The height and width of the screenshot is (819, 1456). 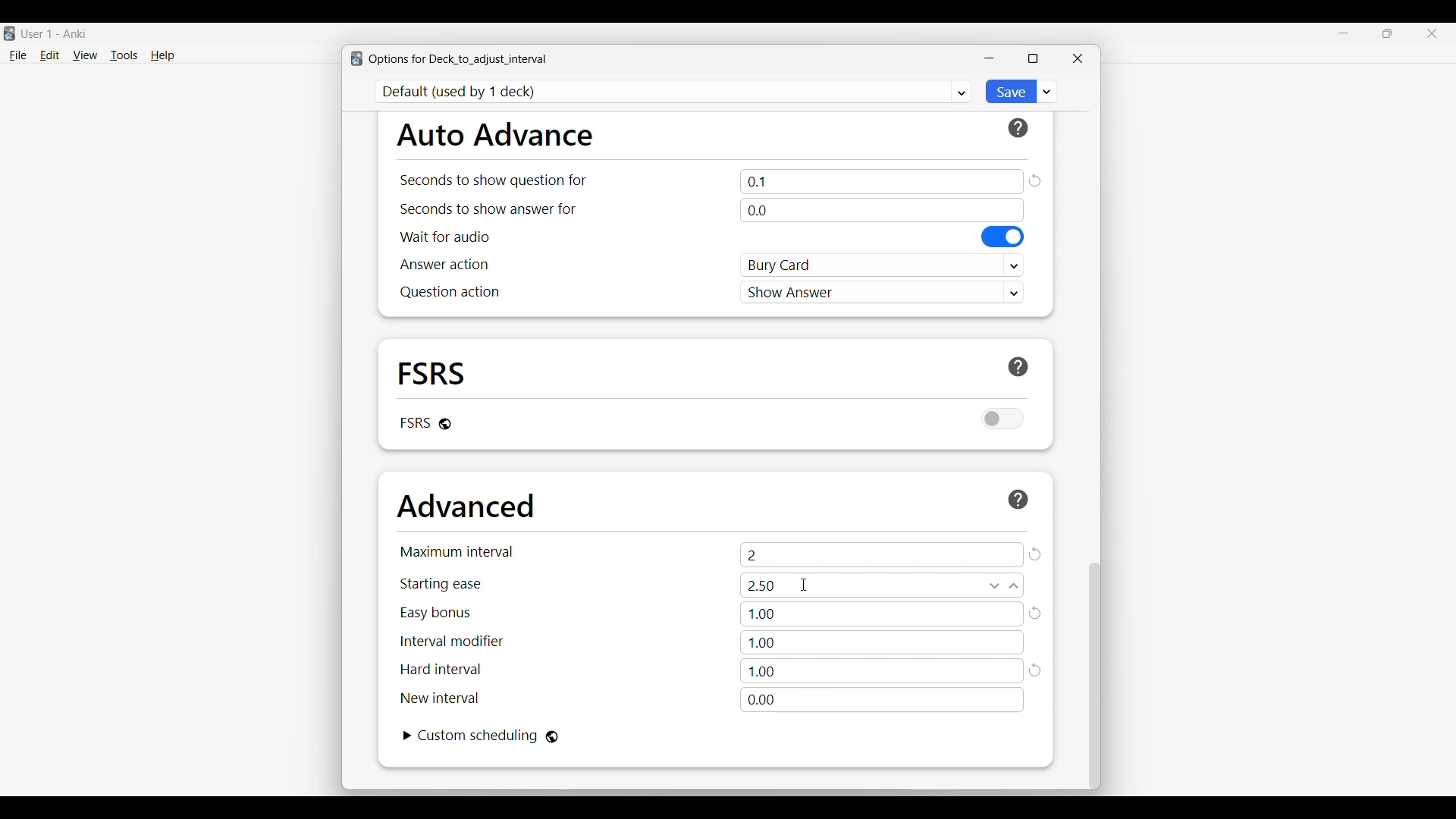 I want to click on 0.00, so click(x=882, y=700).